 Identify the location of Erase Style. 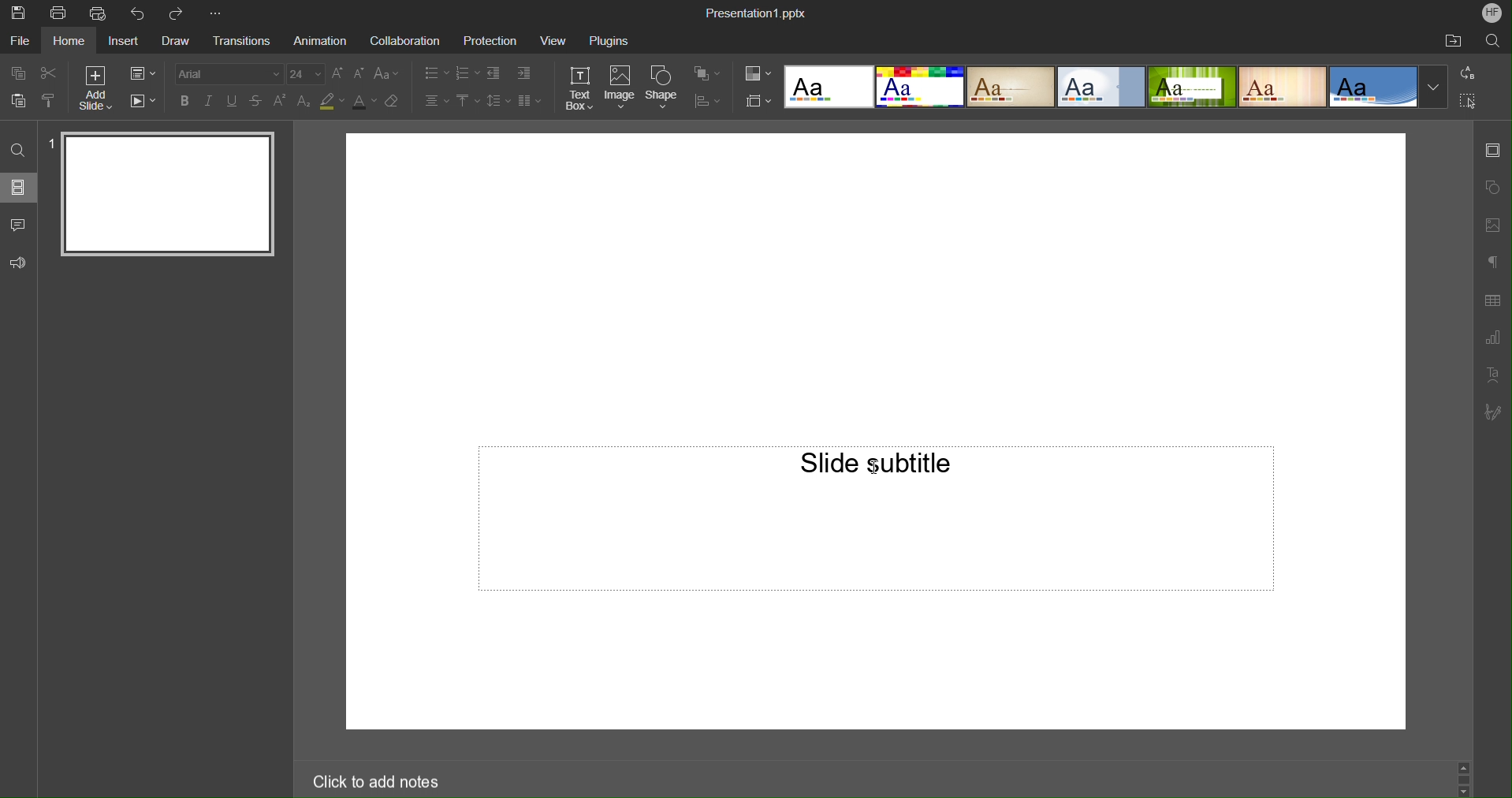
(394, 102).